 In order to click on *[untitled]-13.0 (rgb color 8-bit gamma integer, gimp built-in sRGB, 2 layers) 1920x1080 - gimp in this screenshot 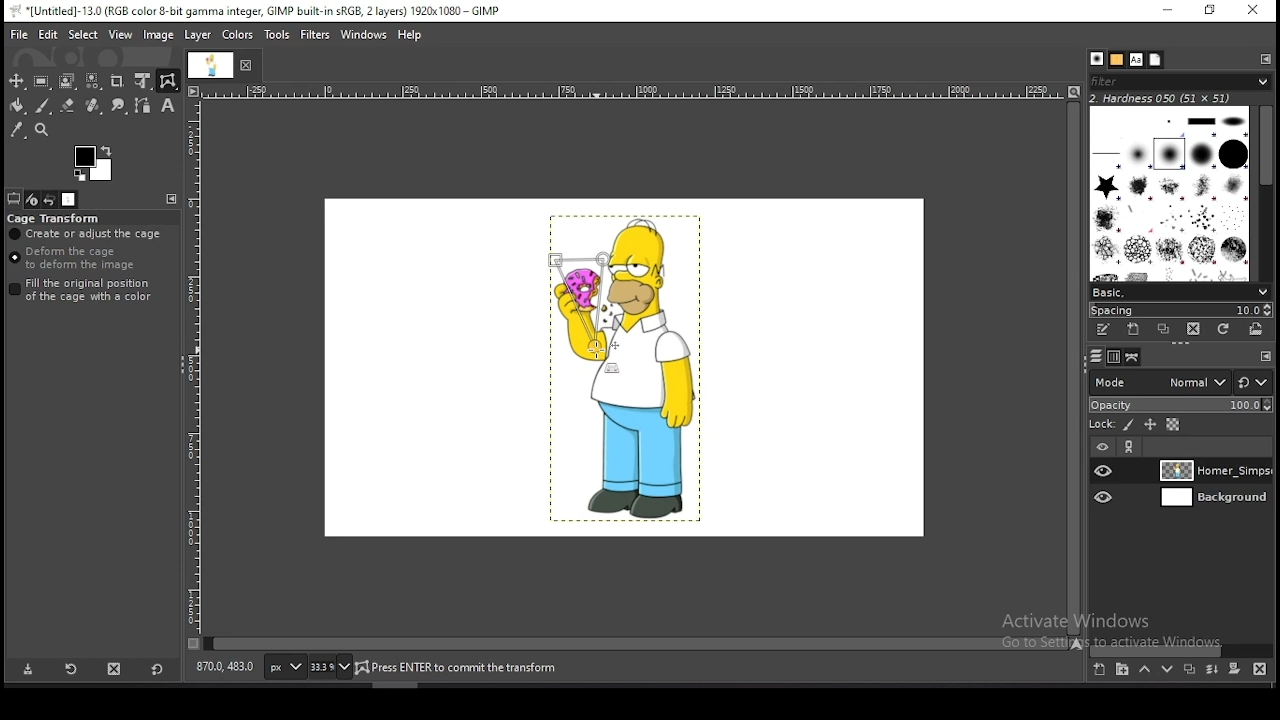, I will do `click(261, 11)`.